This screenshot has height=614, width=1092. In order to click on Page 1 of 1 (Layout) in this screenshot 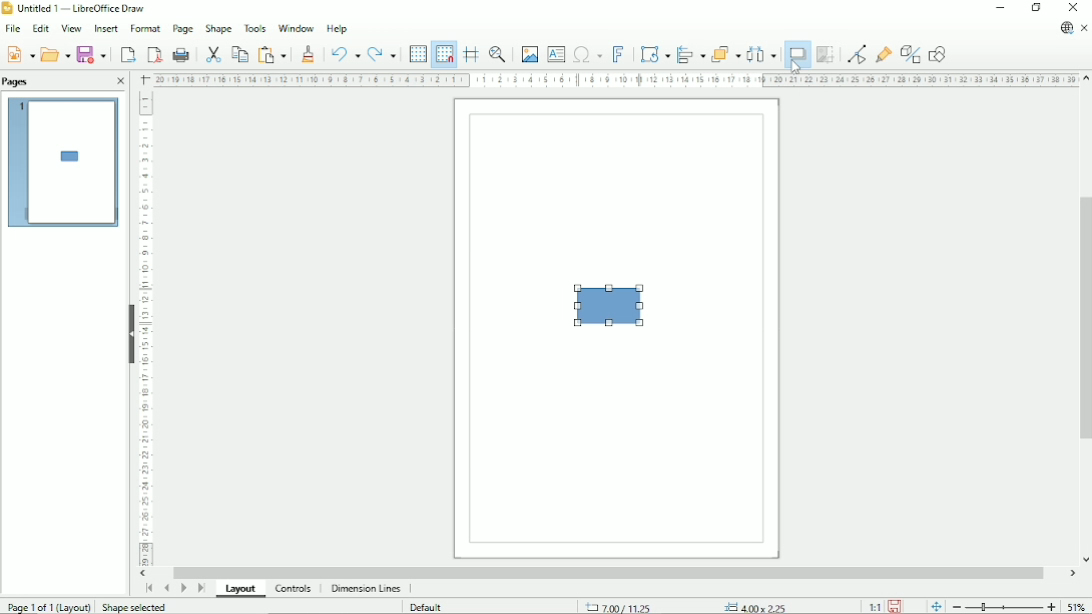, I will do `click(47, 606)`.